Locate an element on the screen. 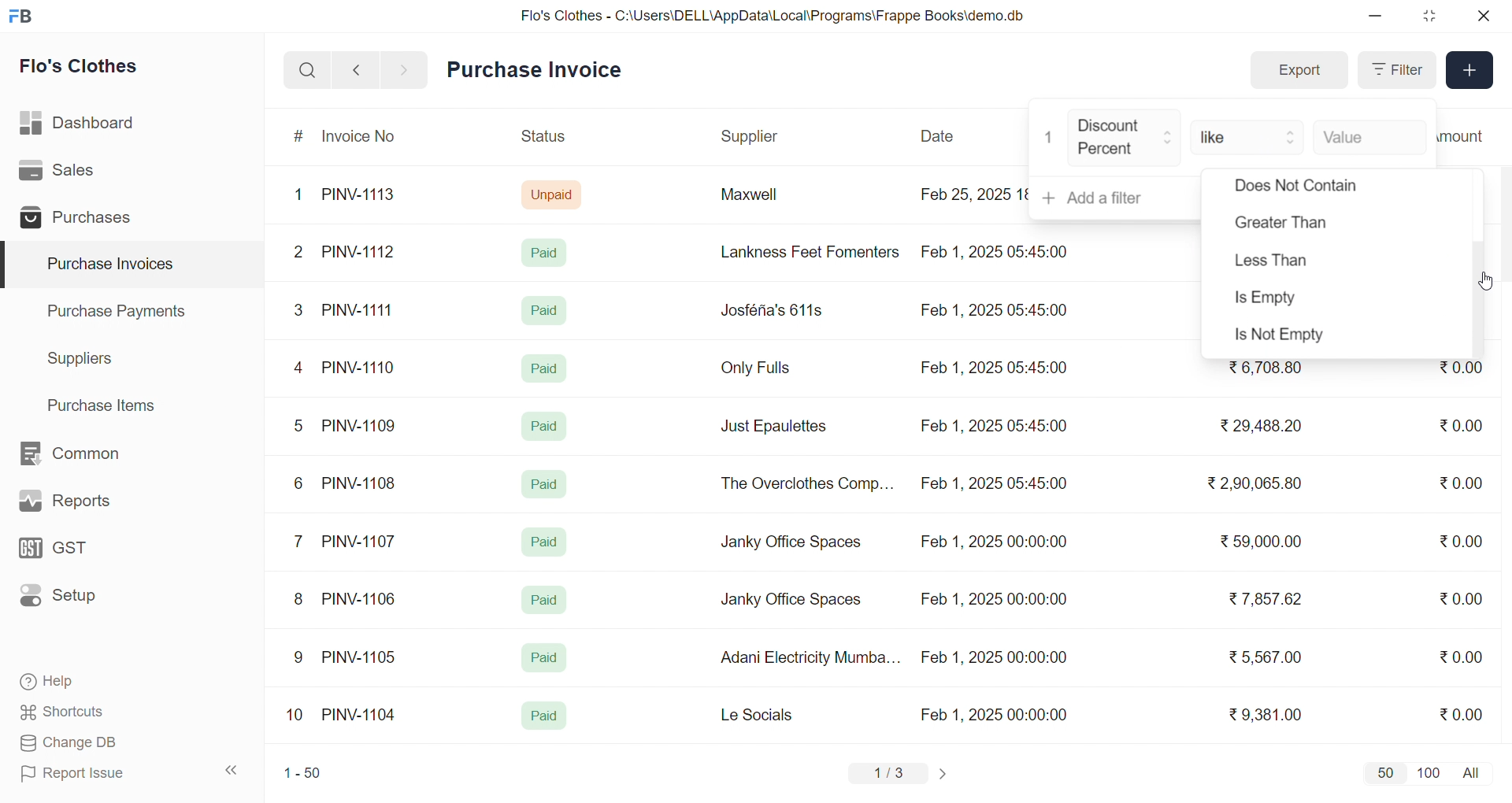 The height and width of the screenshot is (803, 1512). ₹0.00 is located at coordinates (1461, 372).